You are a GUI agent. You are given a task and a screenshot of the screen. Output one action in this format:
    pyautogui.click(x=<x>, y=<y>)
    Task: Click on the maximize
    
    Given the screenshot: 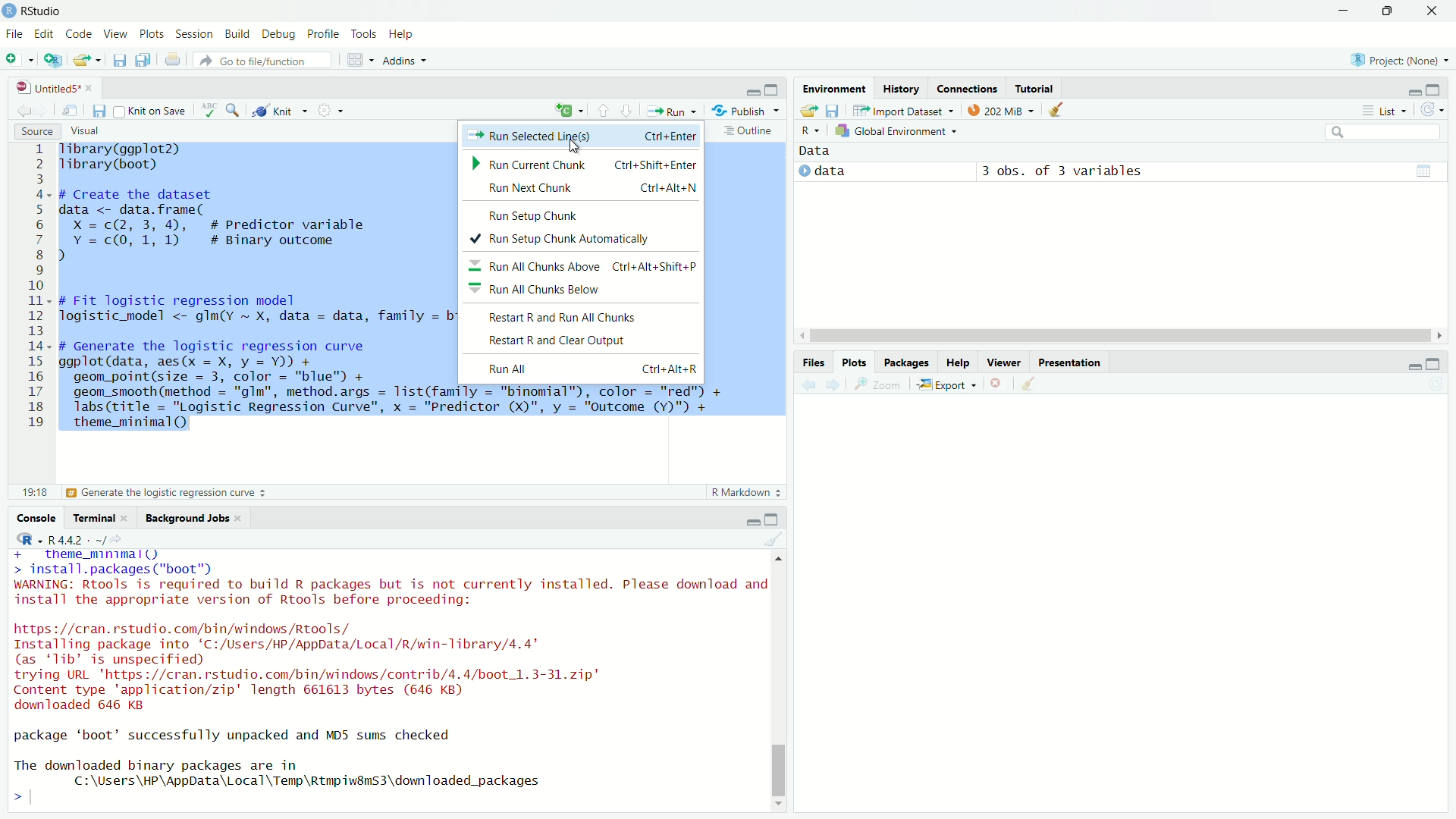 What is the action you would take?
    pyautogui.click(x=772, y=89)
    